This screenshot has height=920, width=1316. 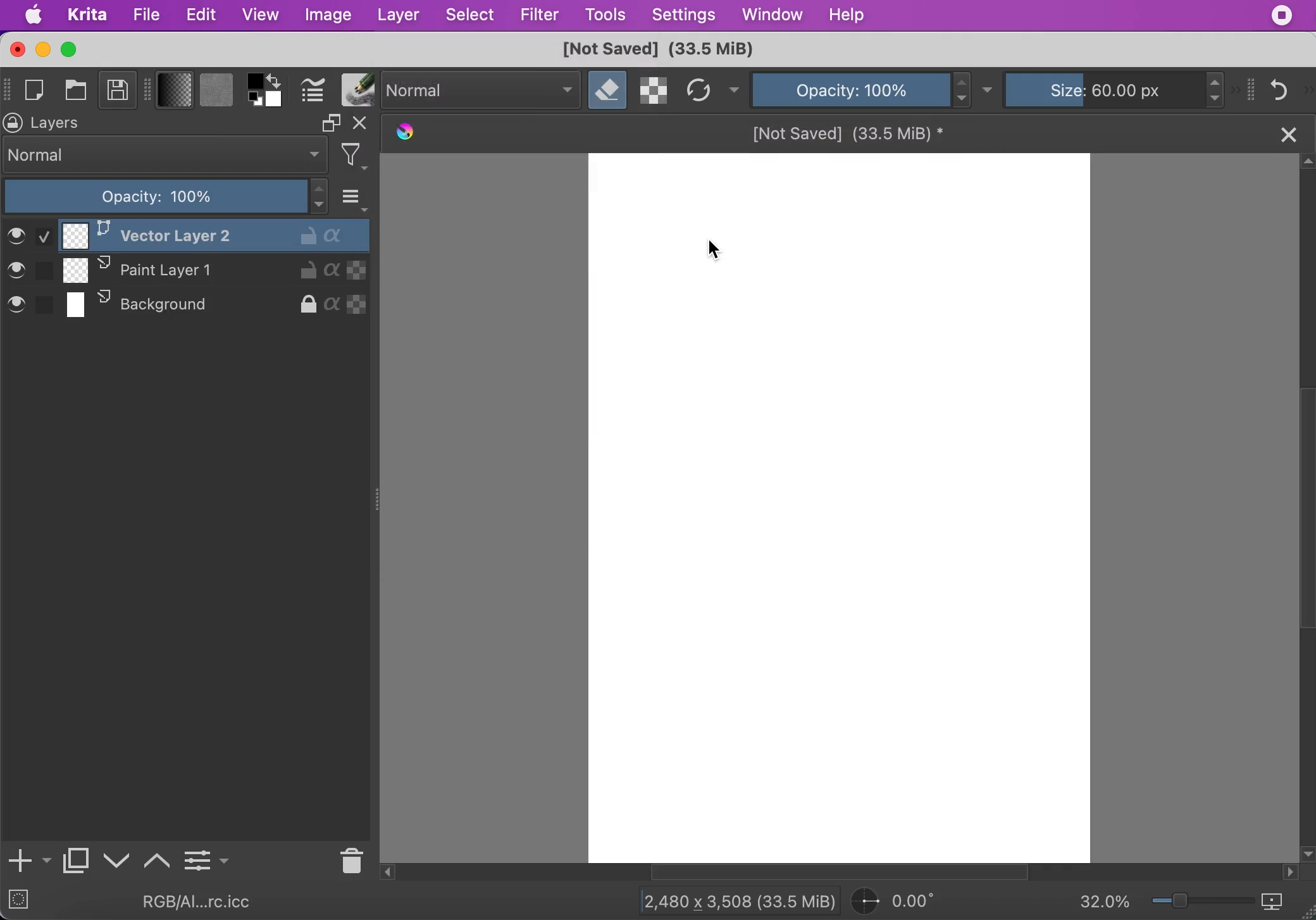 I want to click on rgb/AI...rc.icc, so click(x=205, y=902).